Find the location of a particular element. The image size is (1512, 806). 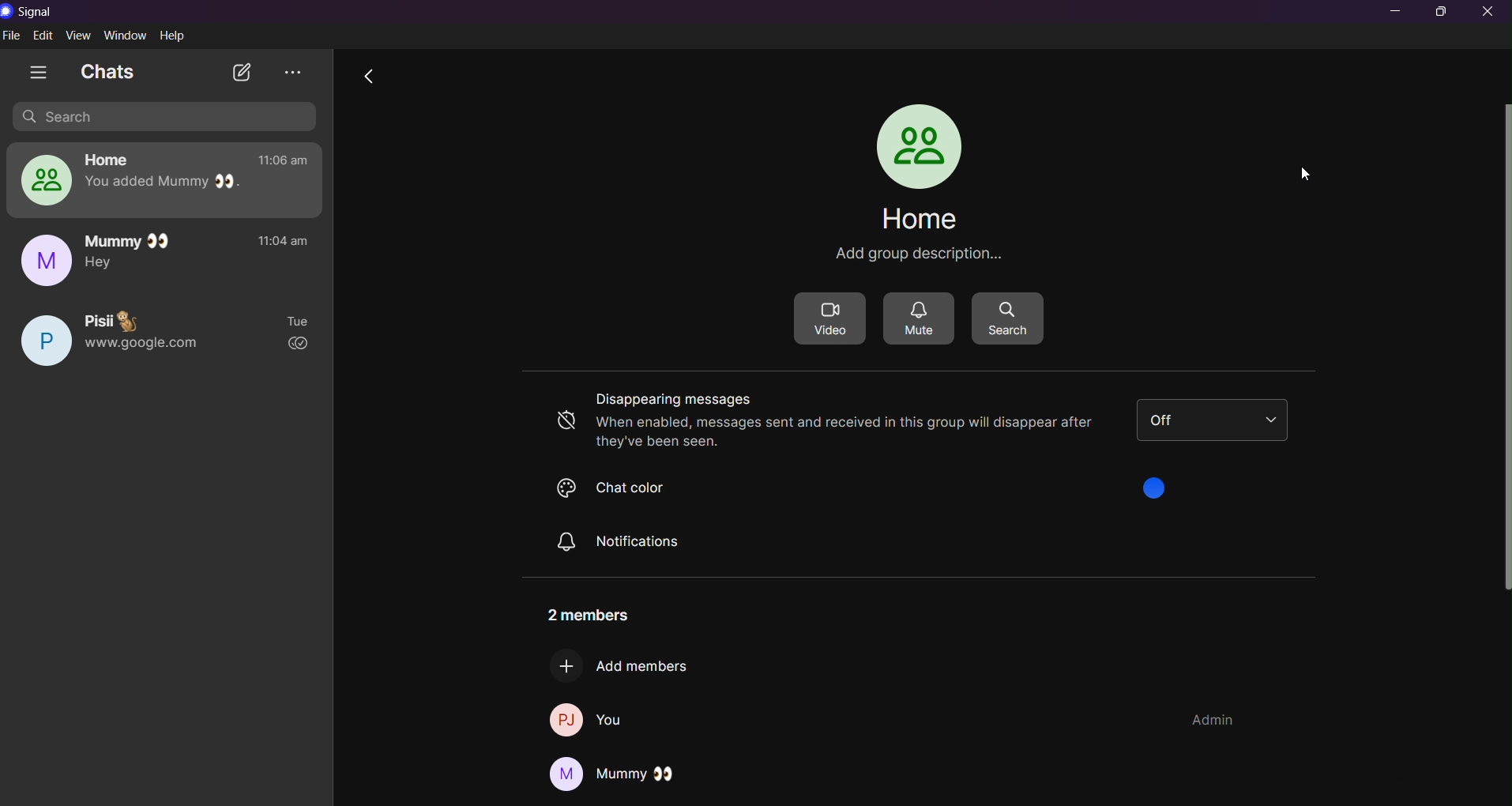

help is located at coordinates (175, 36).